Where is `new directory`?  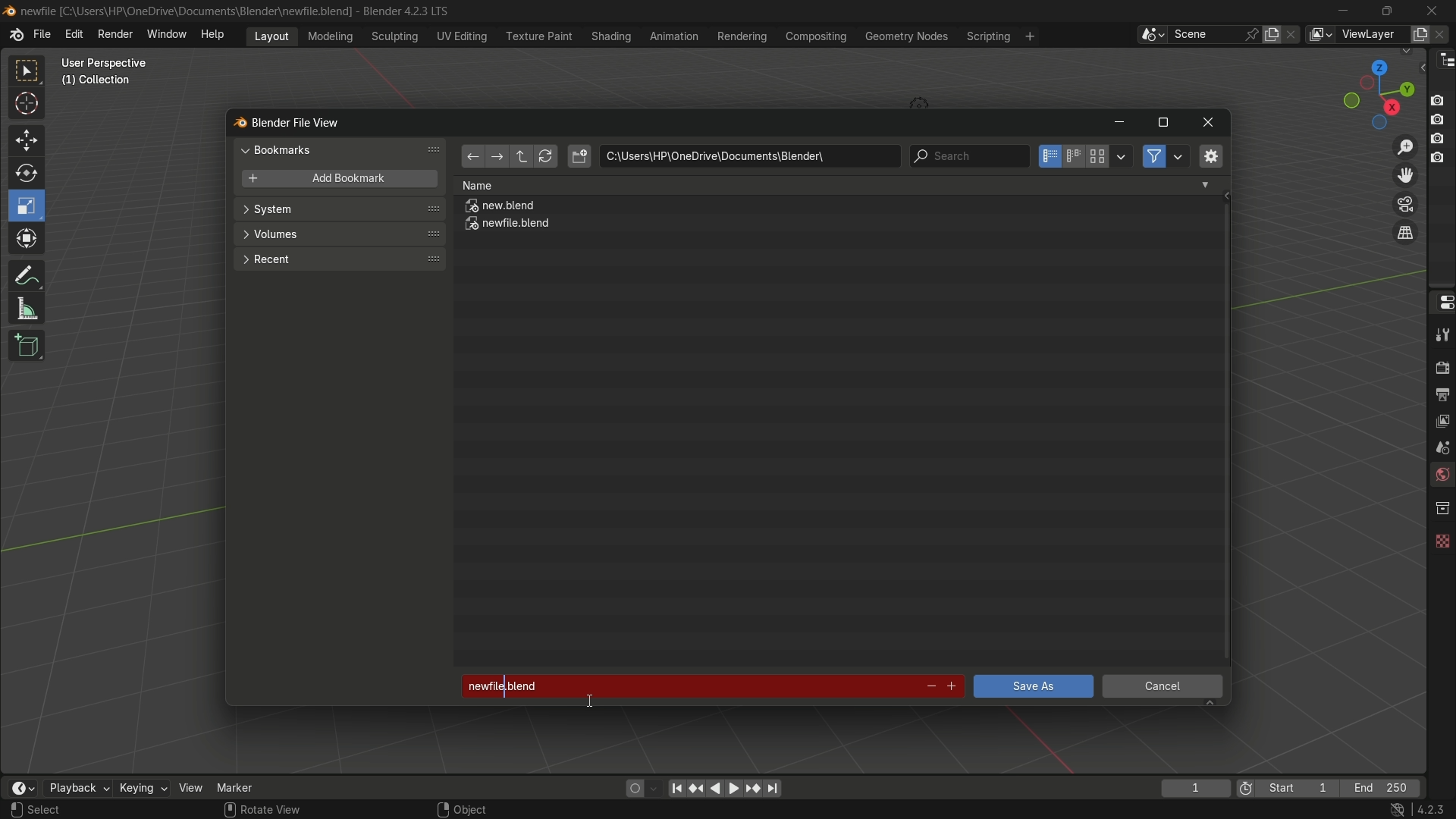
new directory is located at coordinates (579, 156).